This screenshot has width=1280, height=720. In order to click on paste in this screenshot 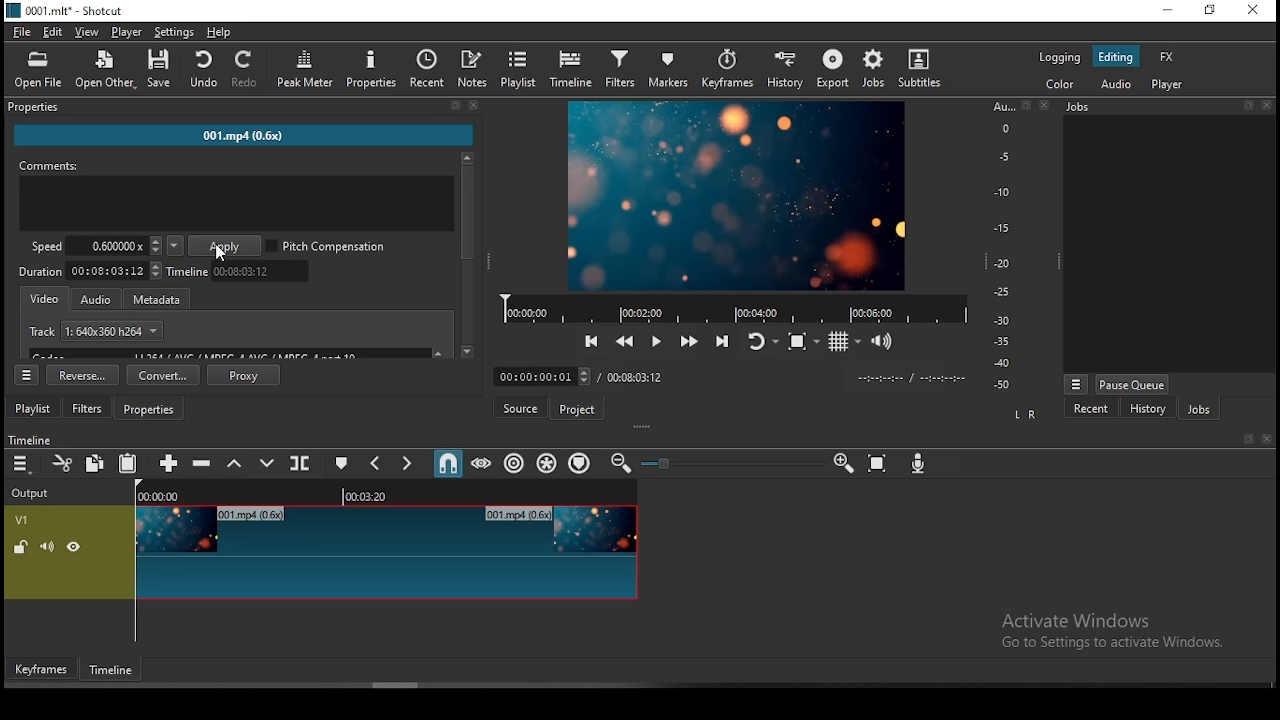, I will do `click(127, 465)`.